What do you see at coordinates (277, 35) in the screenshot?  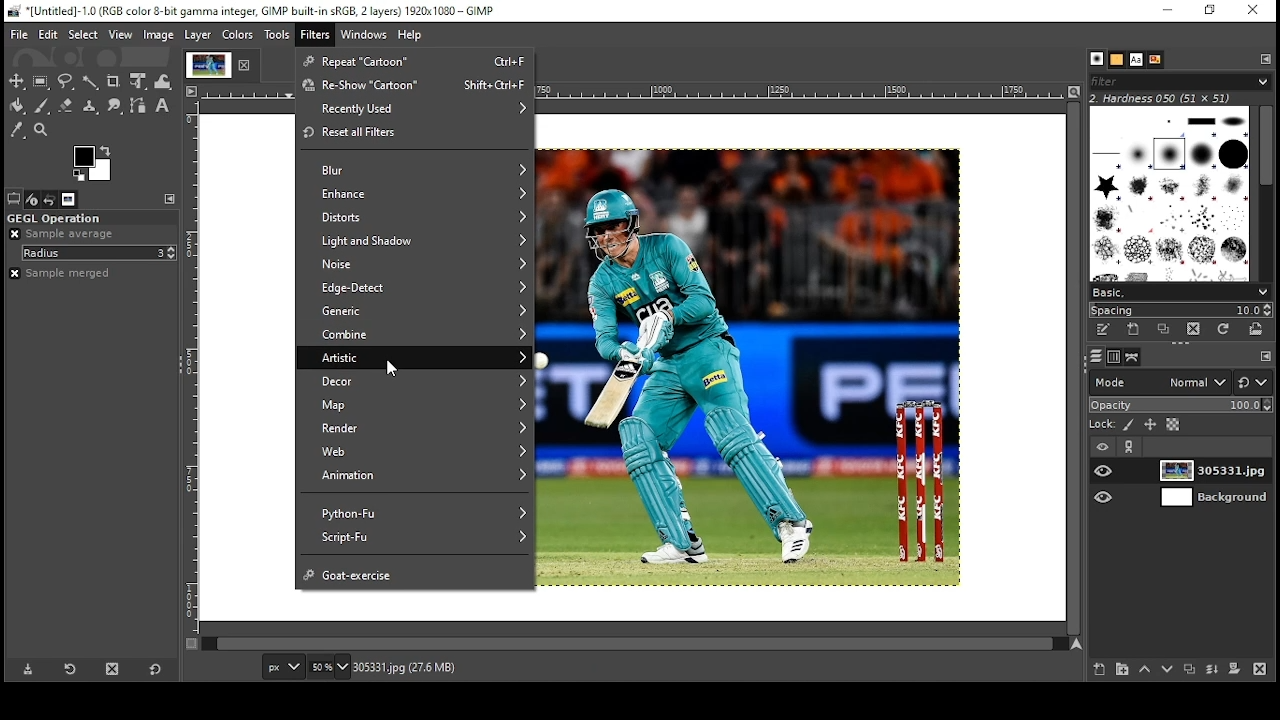 I see `tools` at bounding box center [277, 35].